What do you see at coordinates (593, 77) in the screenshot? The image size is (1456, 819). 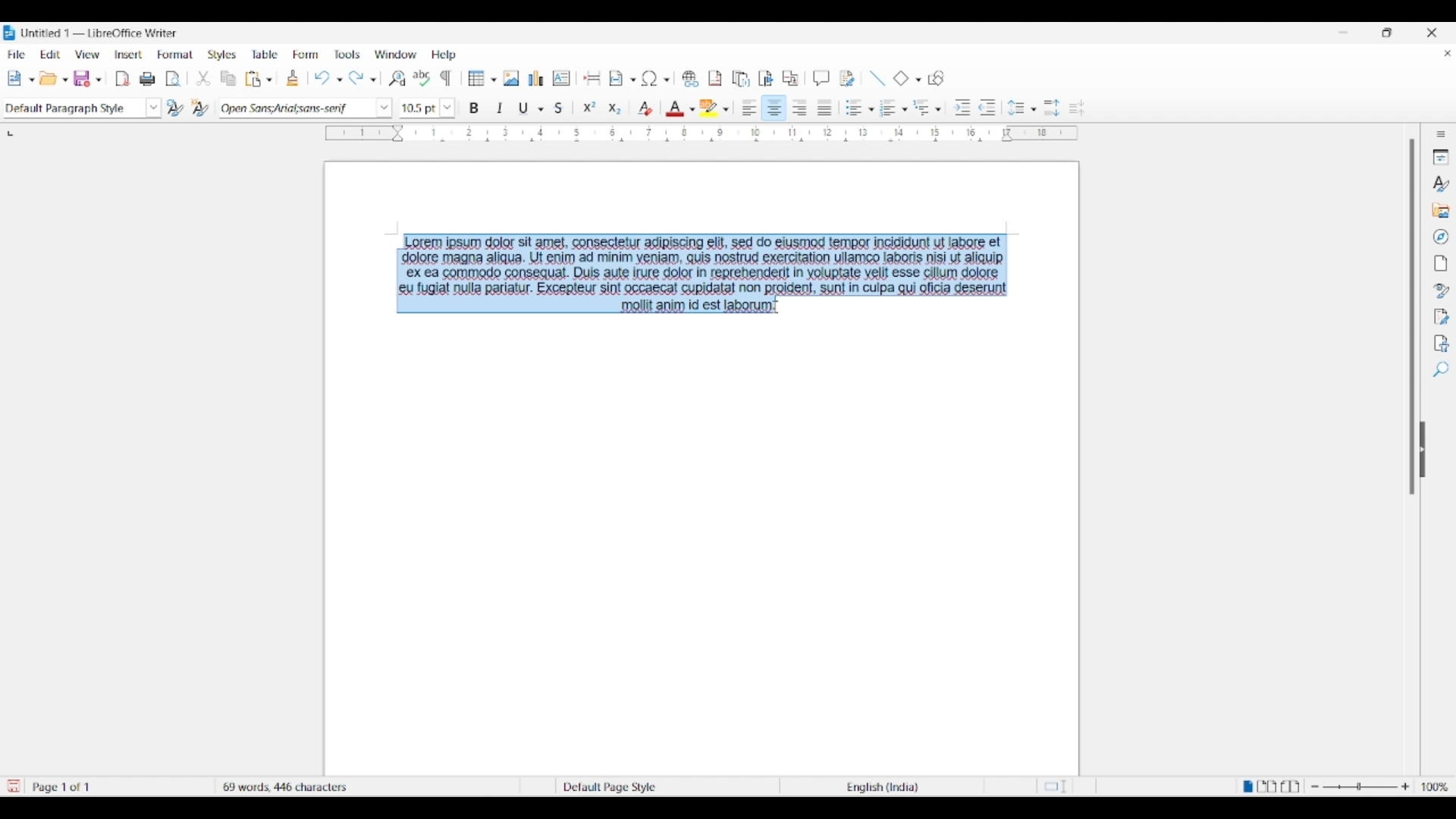 I see `Insert page break` at bounding box center [593, 77].